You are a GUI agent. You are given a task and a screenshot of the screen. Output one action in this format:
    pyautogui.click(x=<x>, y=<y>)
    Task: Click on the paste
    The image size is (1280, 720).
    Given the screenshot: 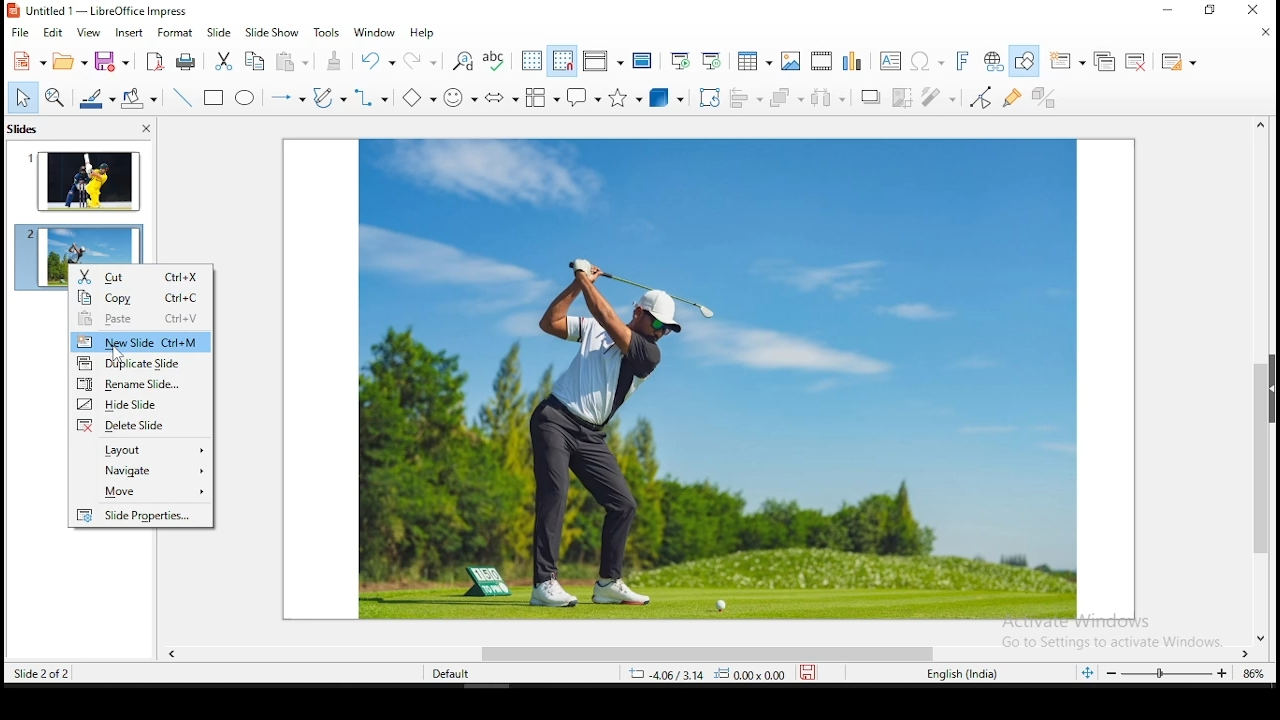 What is the action you would take?
    pyautogui.click(x=290, y=62)
    